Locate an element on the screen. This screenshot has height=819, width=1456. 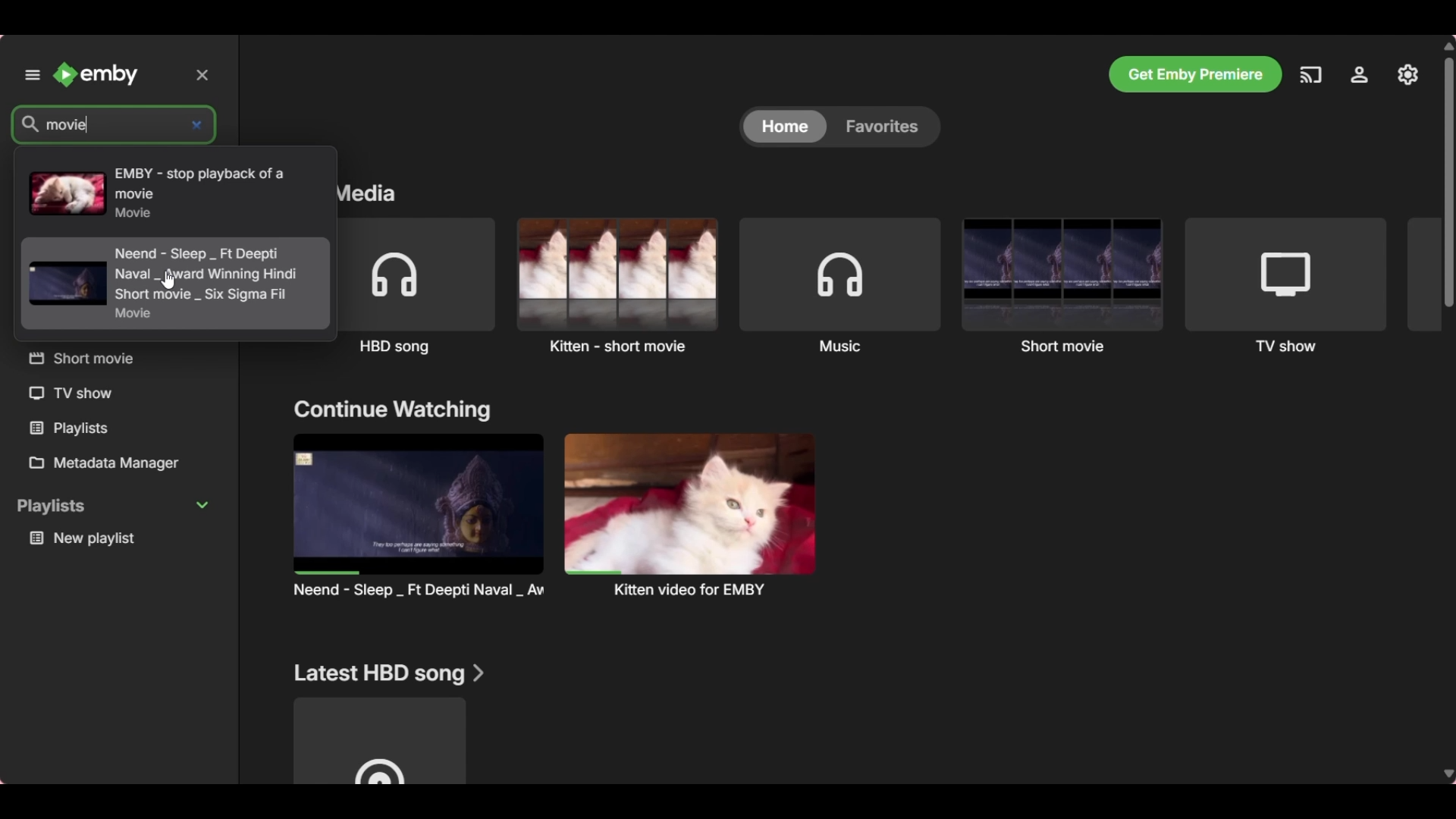
 is located at coordinates (171, 285).